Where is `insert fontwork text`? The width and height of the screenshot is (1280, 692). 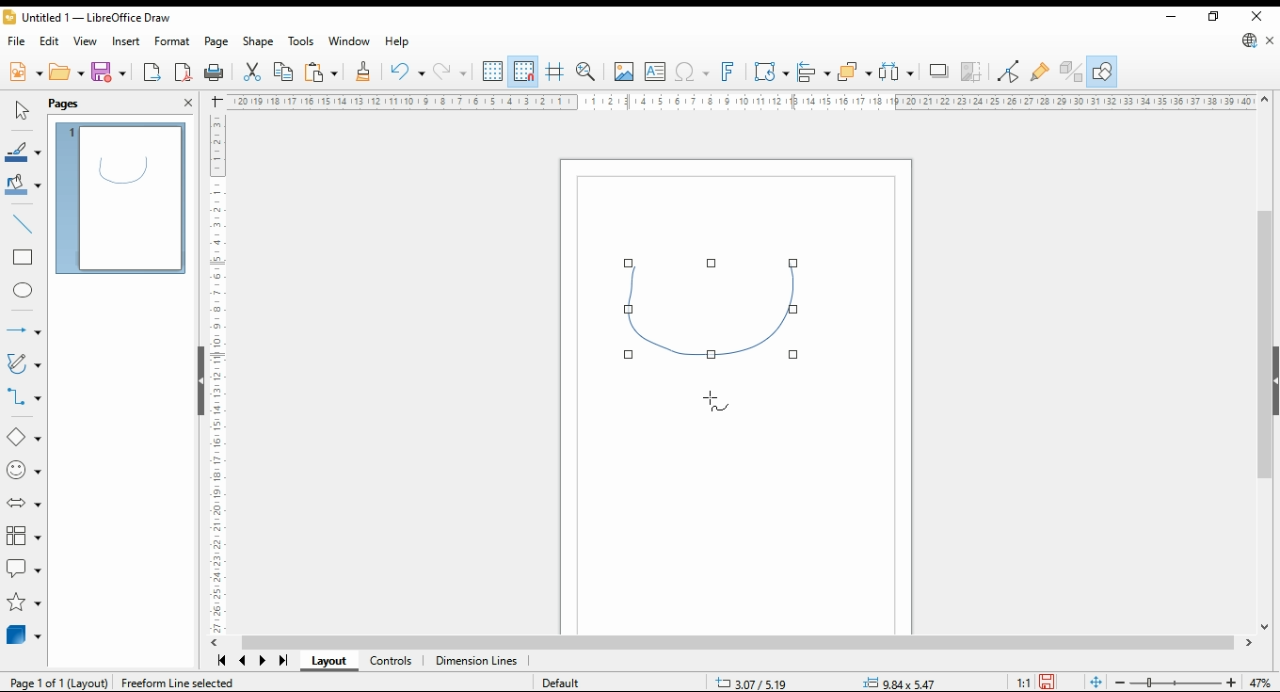 insert fontwork text is located at coordinates (729, 72).